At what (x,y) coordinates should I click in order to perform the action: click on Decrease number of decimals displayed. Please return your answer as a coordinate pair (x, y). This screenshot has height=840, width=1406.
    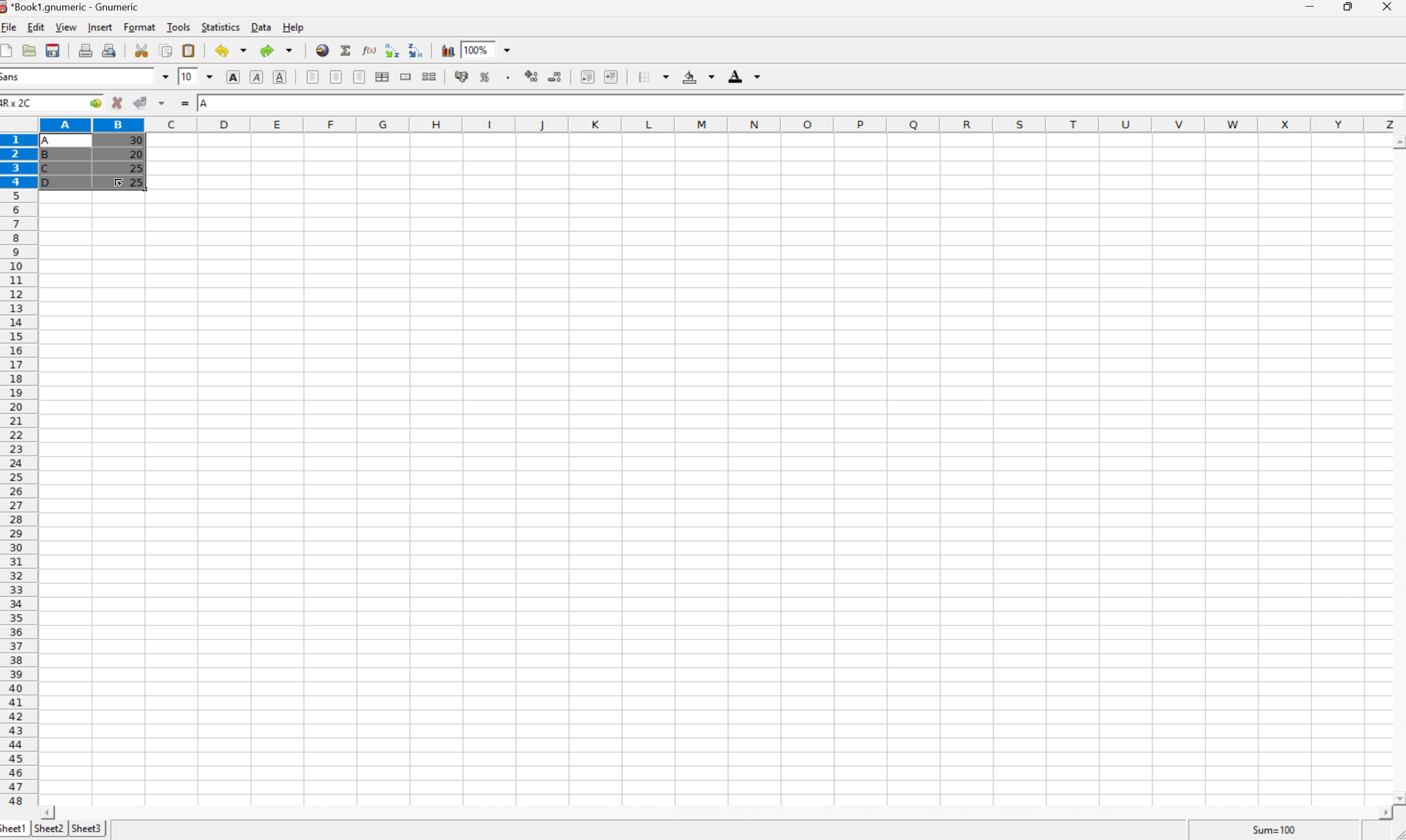
    Looking at the image, I should click on (557, 78).